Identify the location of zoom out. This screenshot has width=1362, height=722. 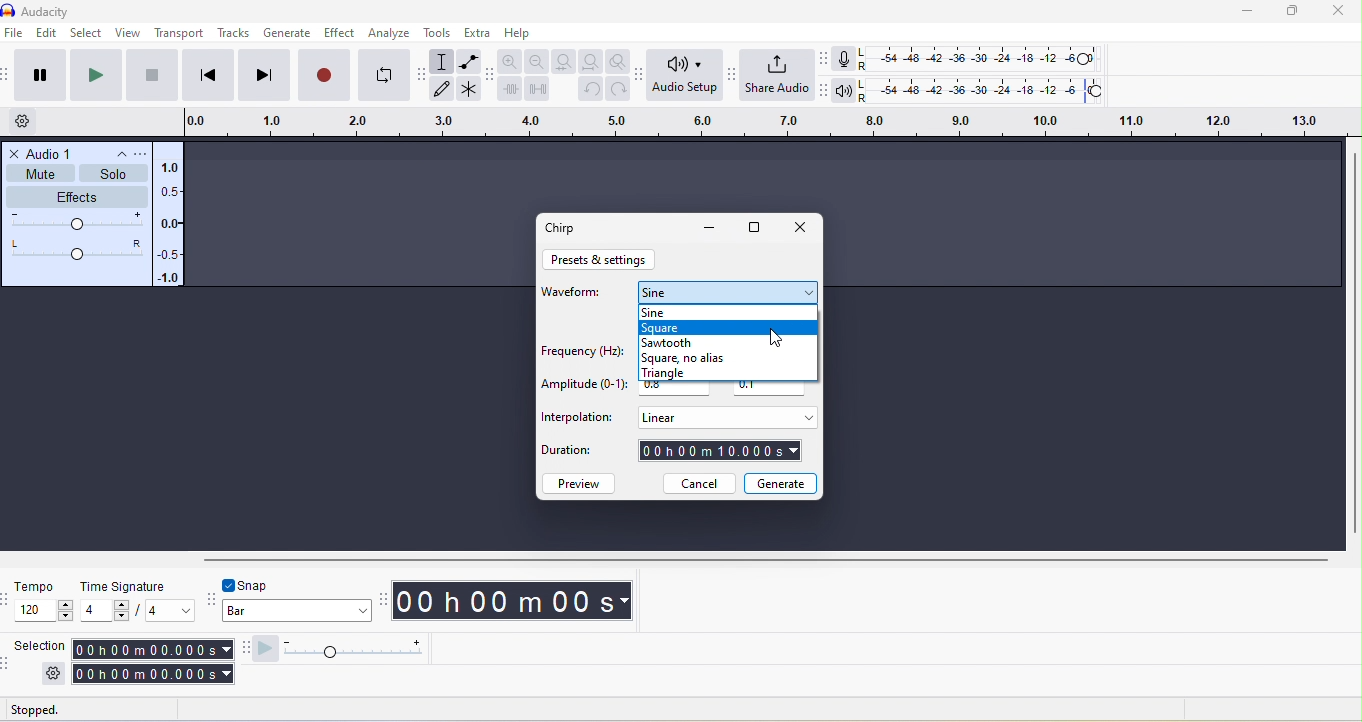
(536, 61).